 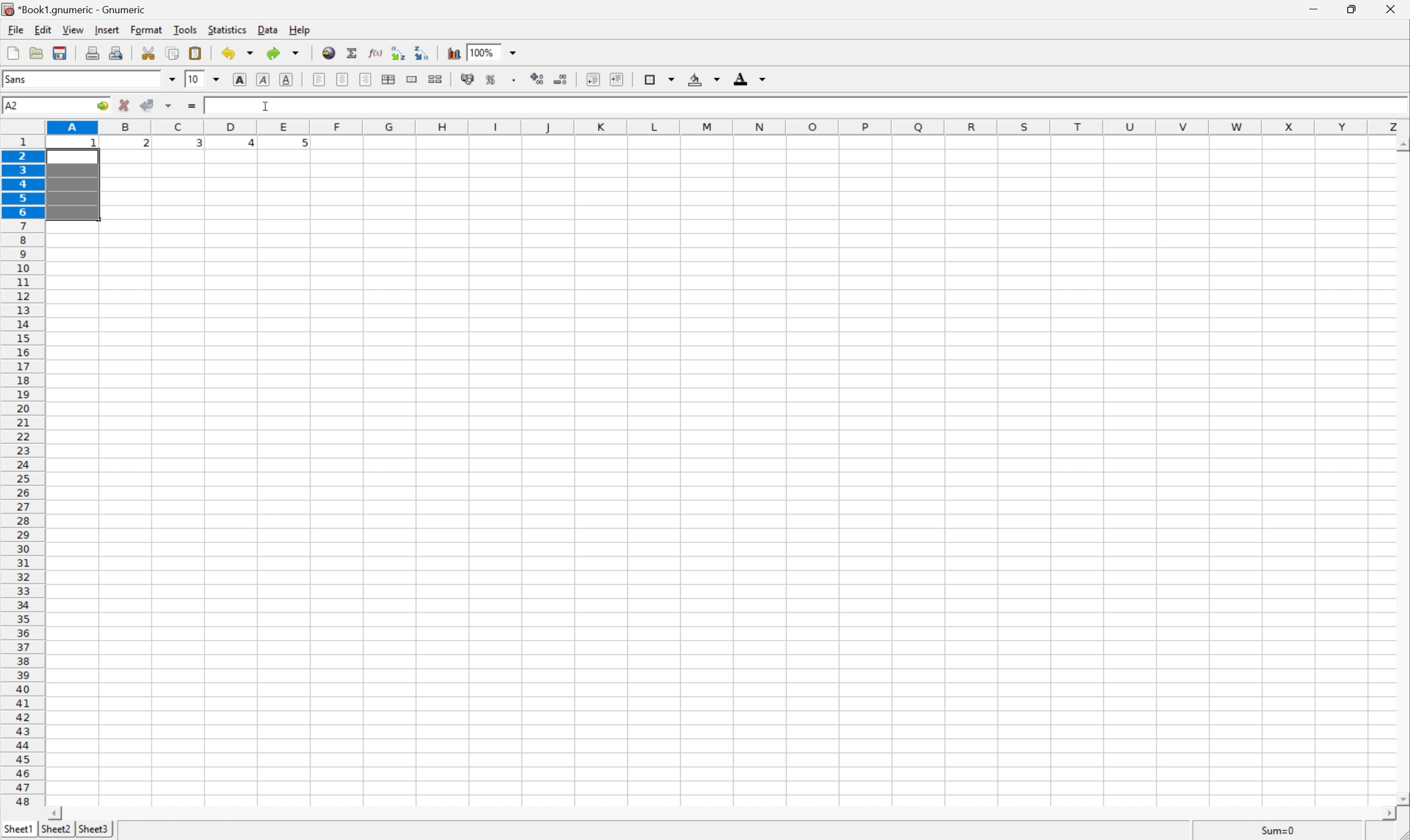 What do you see at coordinates (1393, 11) in the screenshot?
I see `close` at bounding box center [1393, 11].